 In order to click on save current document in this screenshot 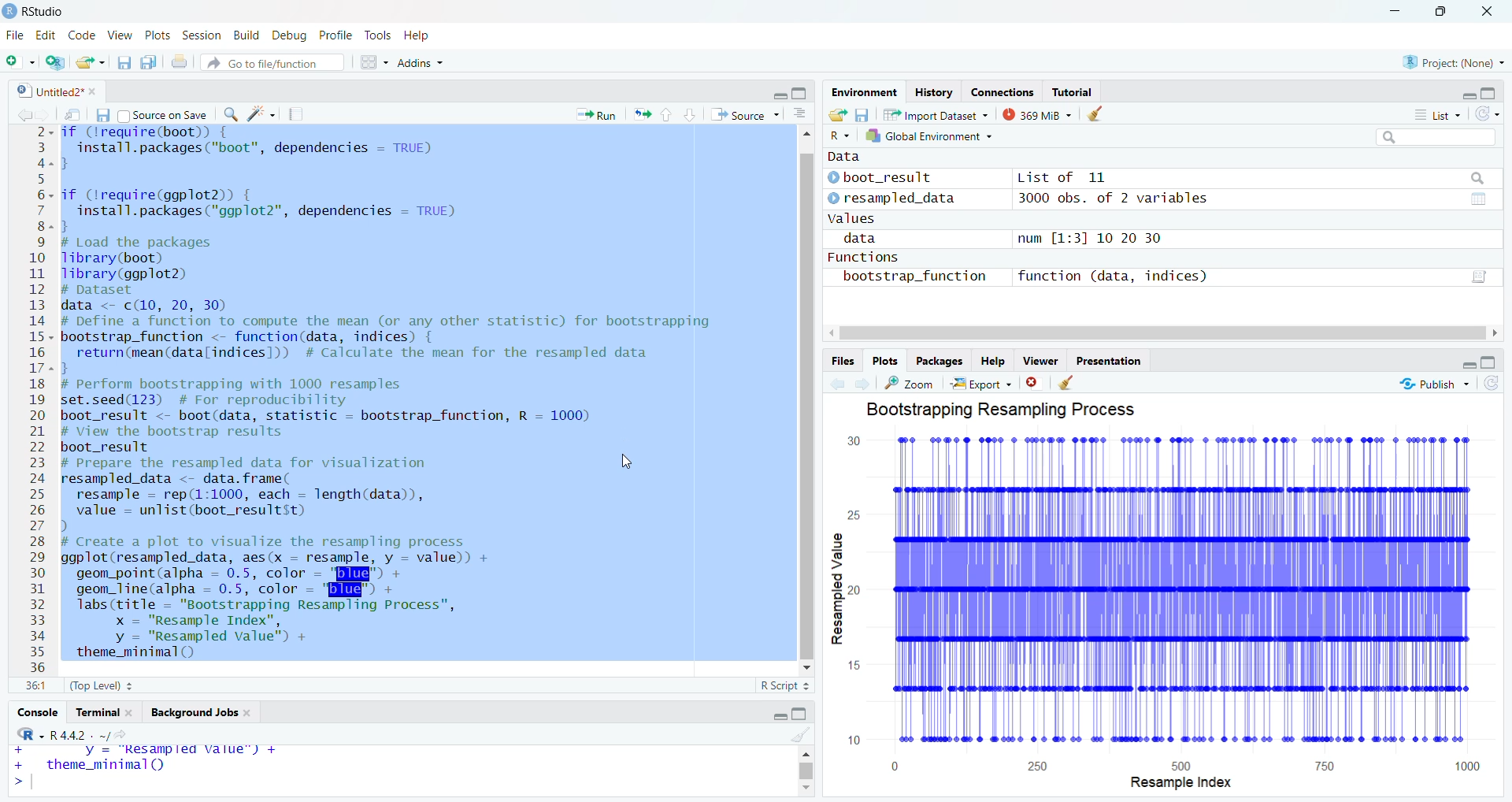, I will do `click(124, 62)`.